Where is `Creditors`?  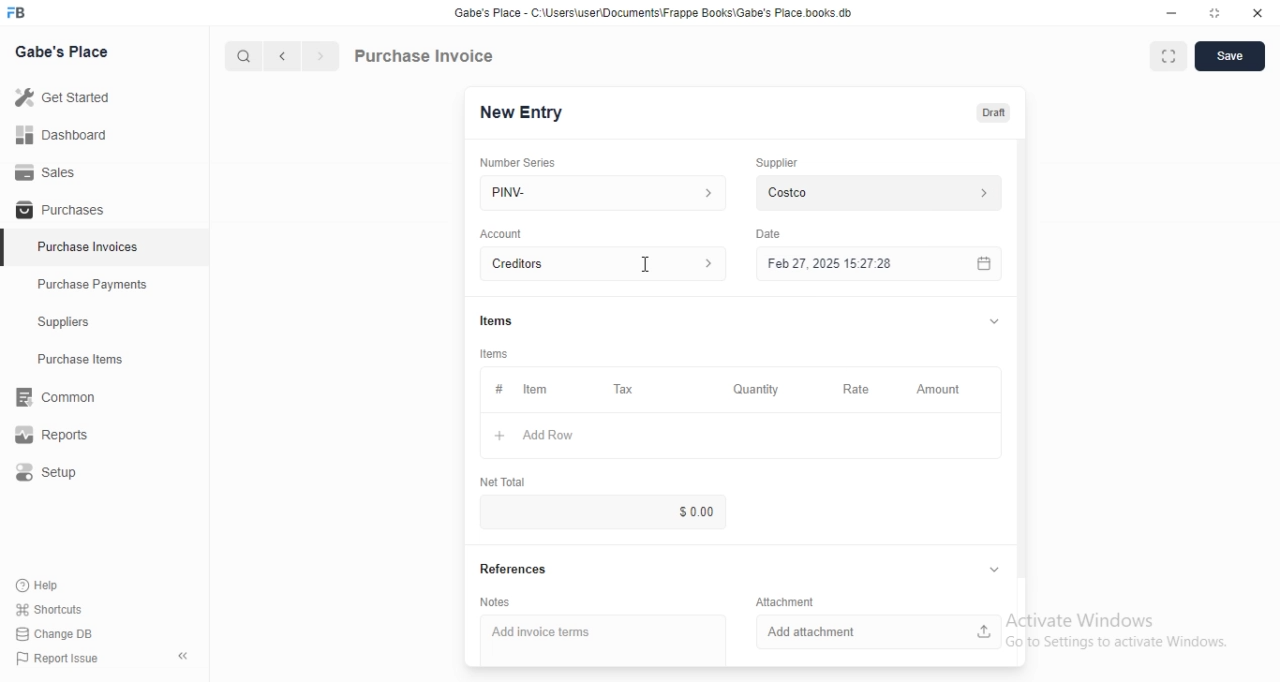
Creditors is located at coordinates (603, 263).